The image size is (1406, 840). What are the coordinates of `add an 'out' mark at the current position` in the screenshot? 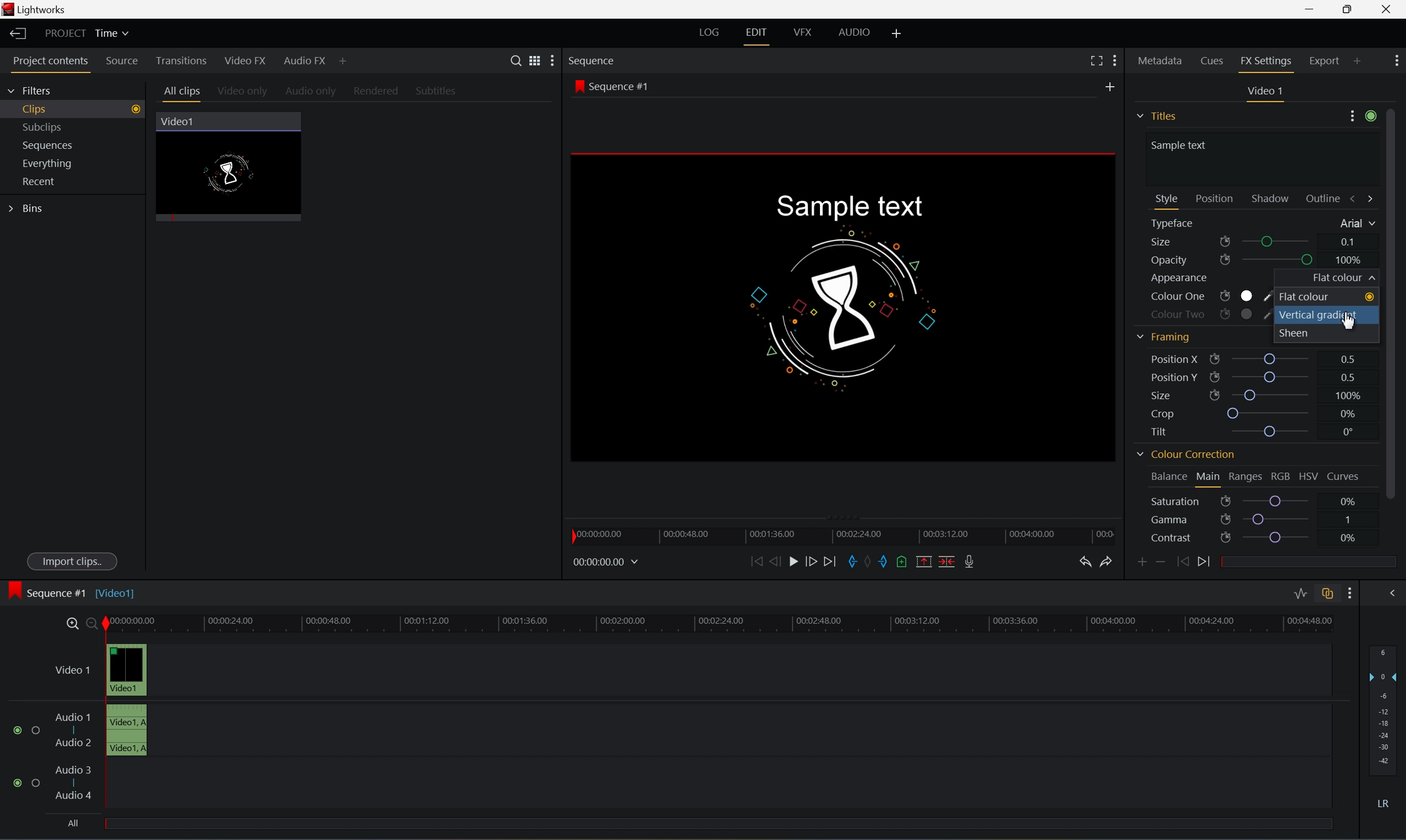 It's located at (887, 562).